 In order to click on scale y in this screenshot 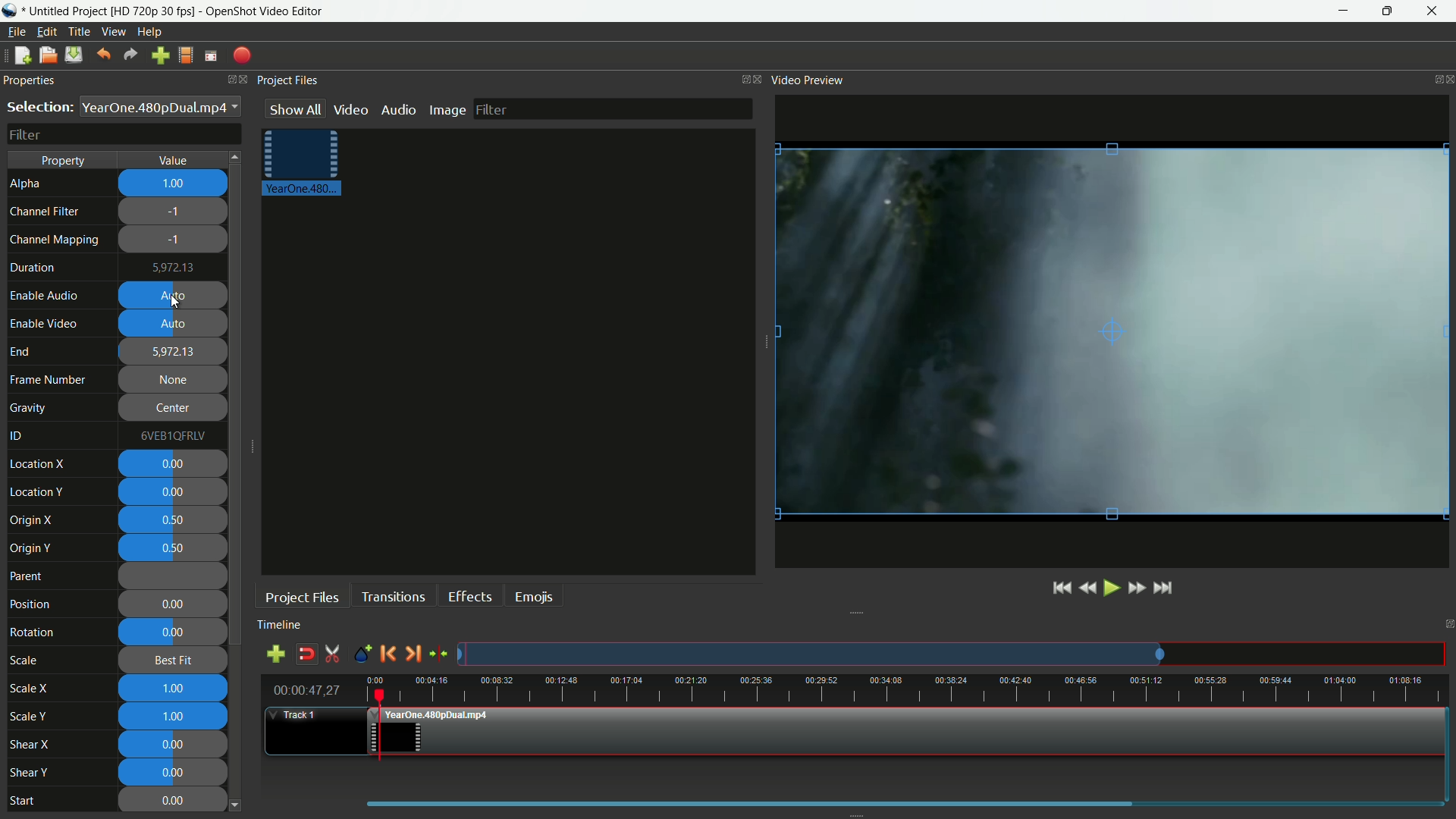, I will do `click(31, 717)`.